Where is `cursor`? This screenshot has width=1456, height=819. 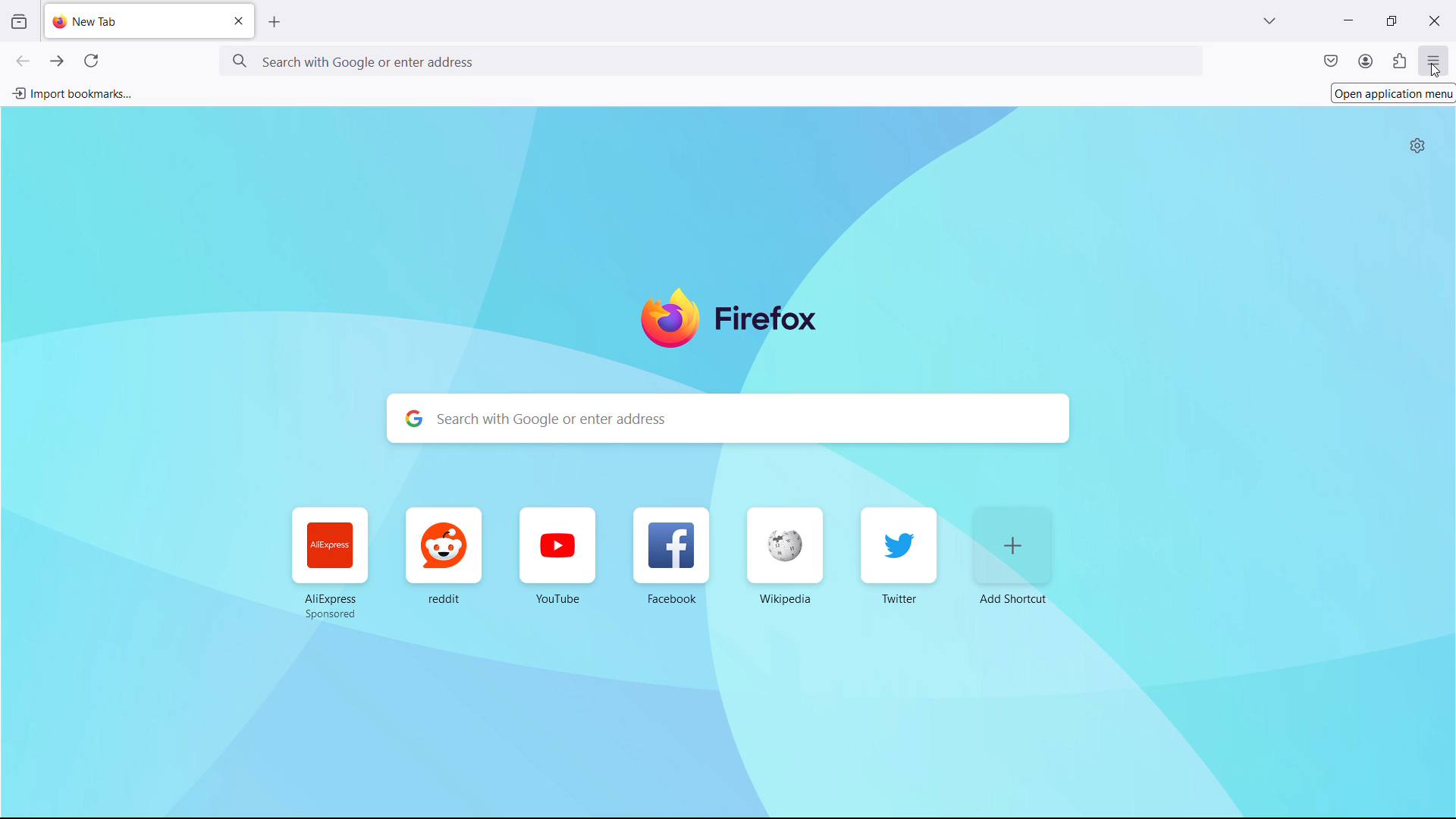
cursor is located at coordinates (1434, 71).